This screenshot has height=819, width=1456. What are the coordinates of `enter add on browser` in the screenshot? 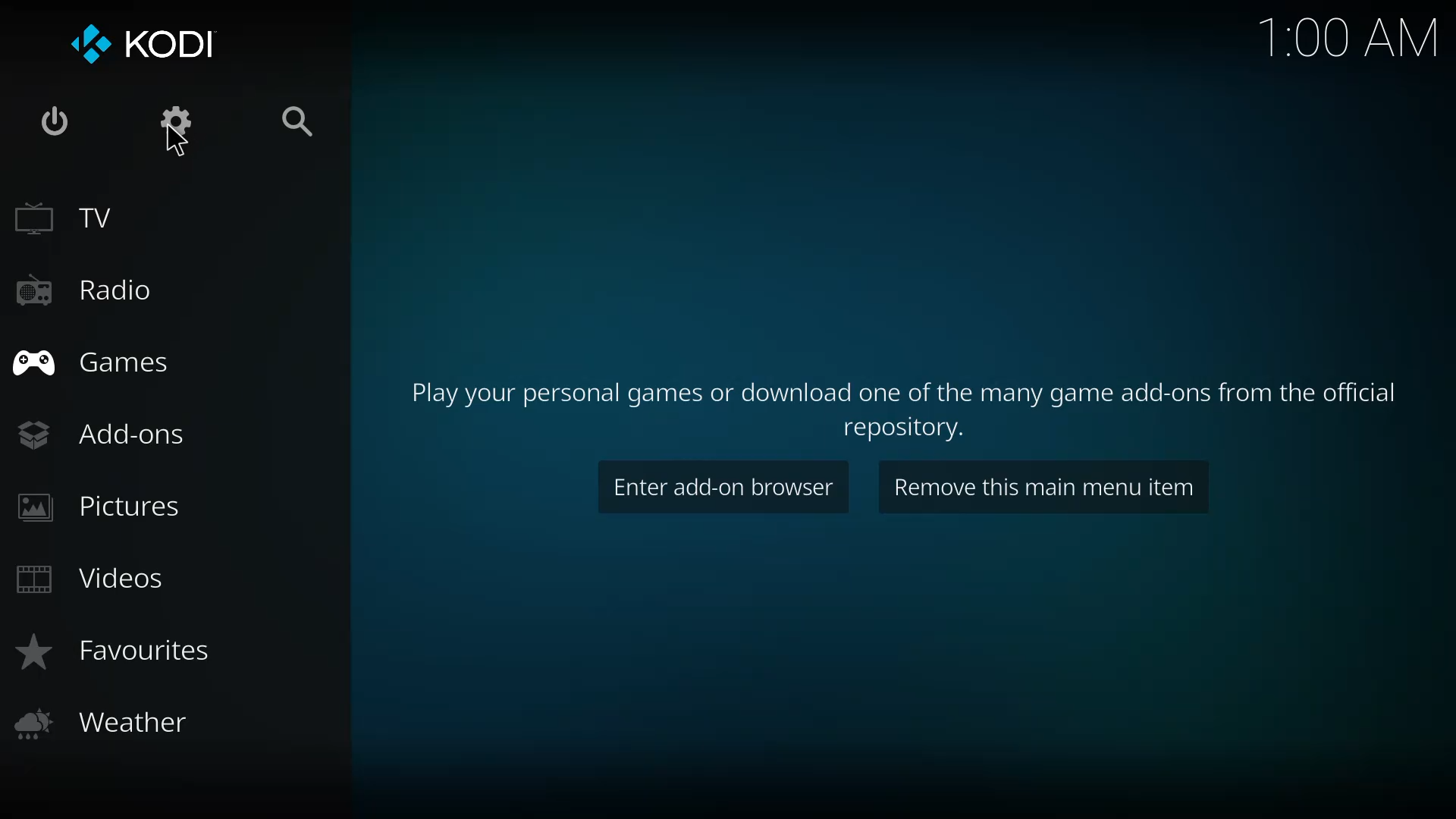 It's located at (721, 485).